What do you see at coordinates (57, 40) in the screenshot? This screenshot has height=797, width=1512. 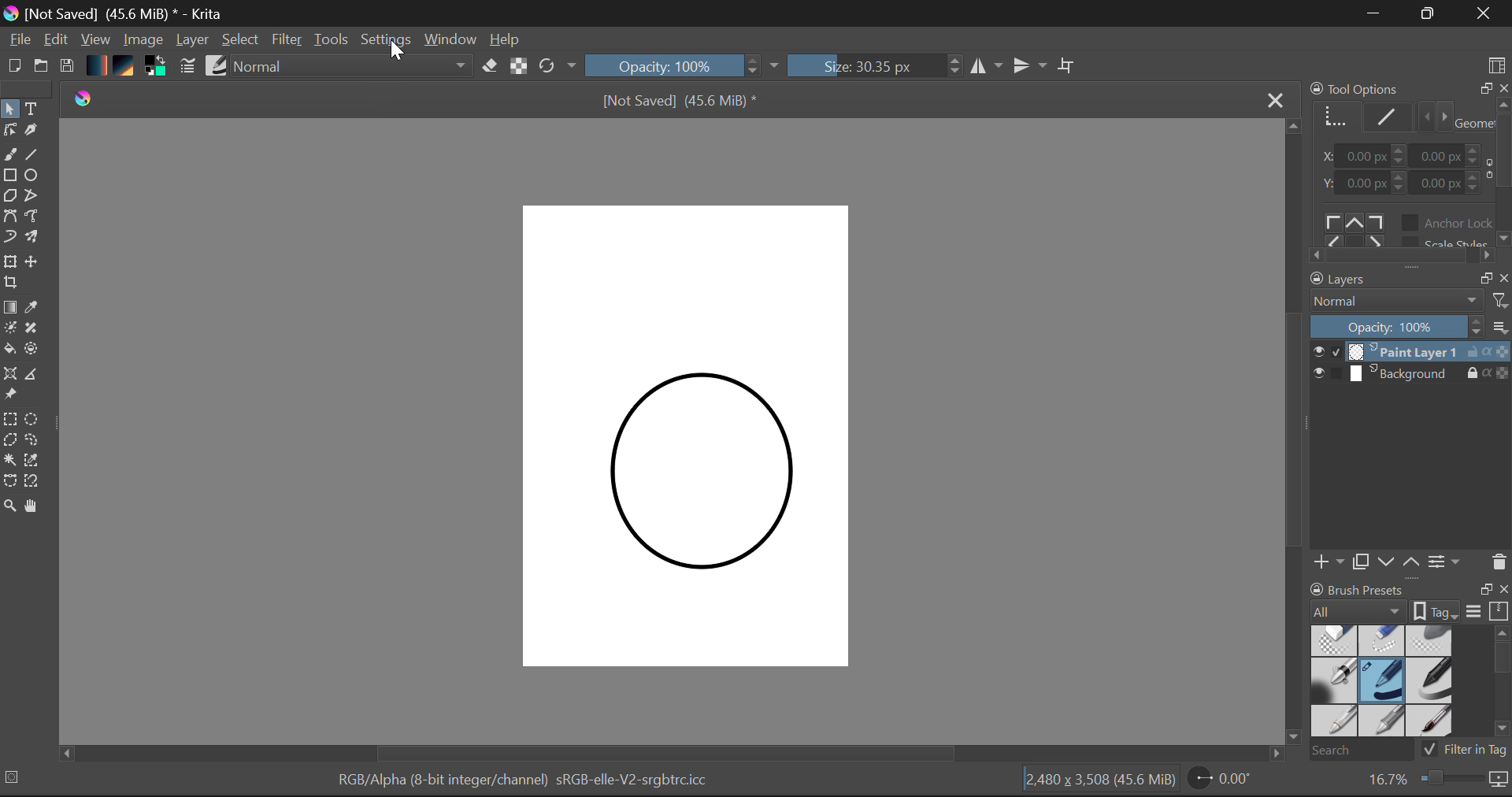 I see `Edit` at bounding box center [57, 40].